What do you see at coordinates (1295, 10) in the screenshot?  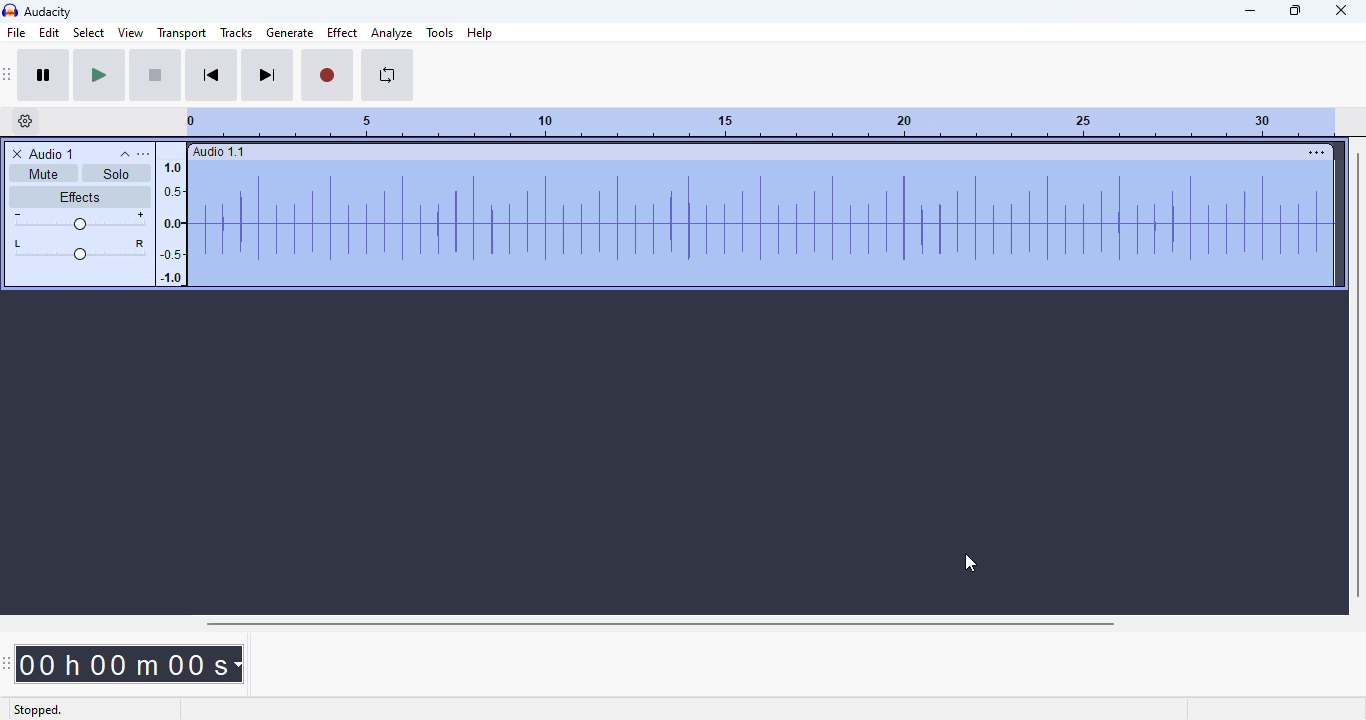 I see `maximize` at bounding box center [1295, 10].